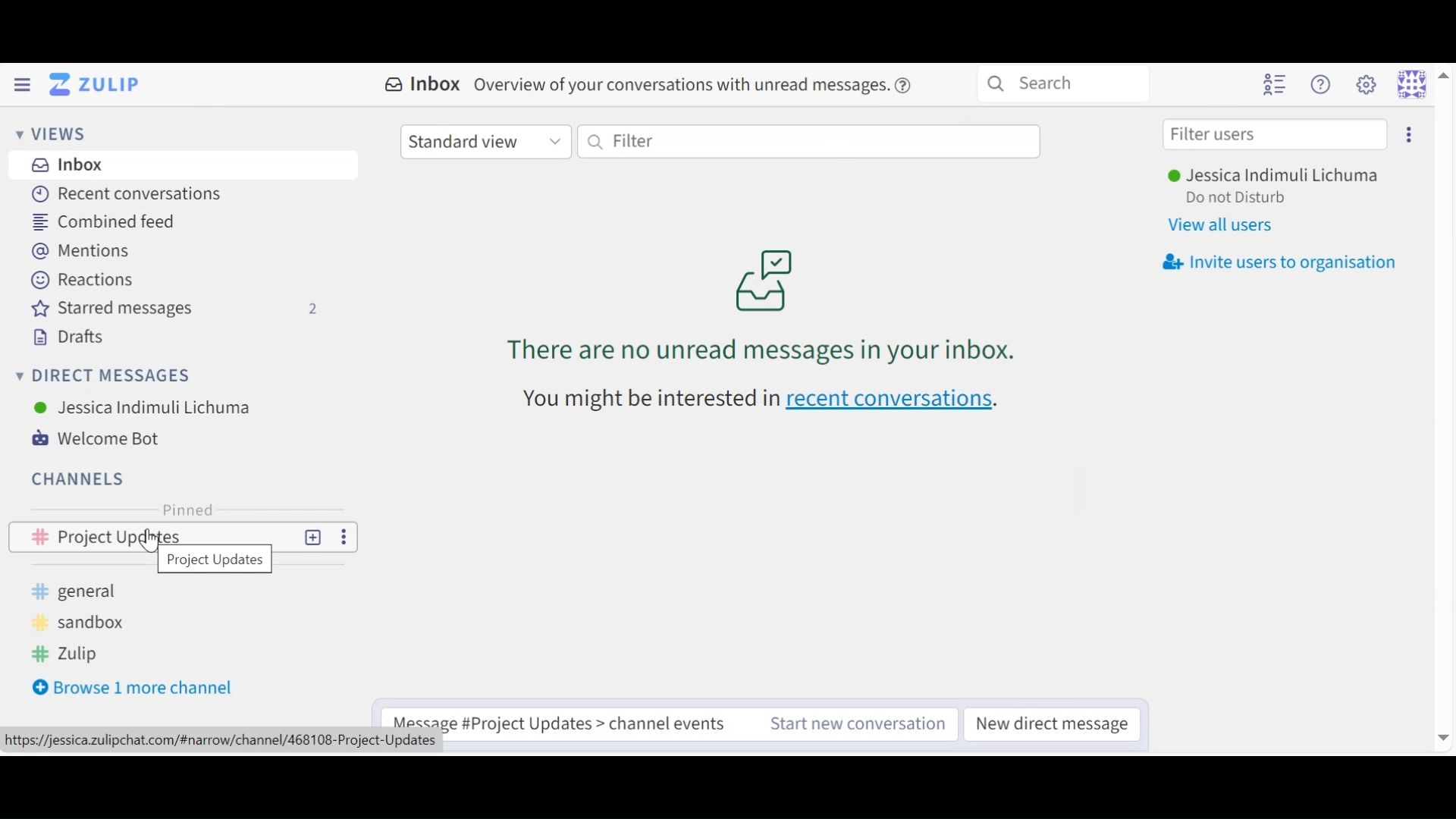 Image resolution: width=1456 pixels, height=819 pixels. Describe the element at coordinates (1411, 84) in the screenshot. I see `Personal menu` at that location.